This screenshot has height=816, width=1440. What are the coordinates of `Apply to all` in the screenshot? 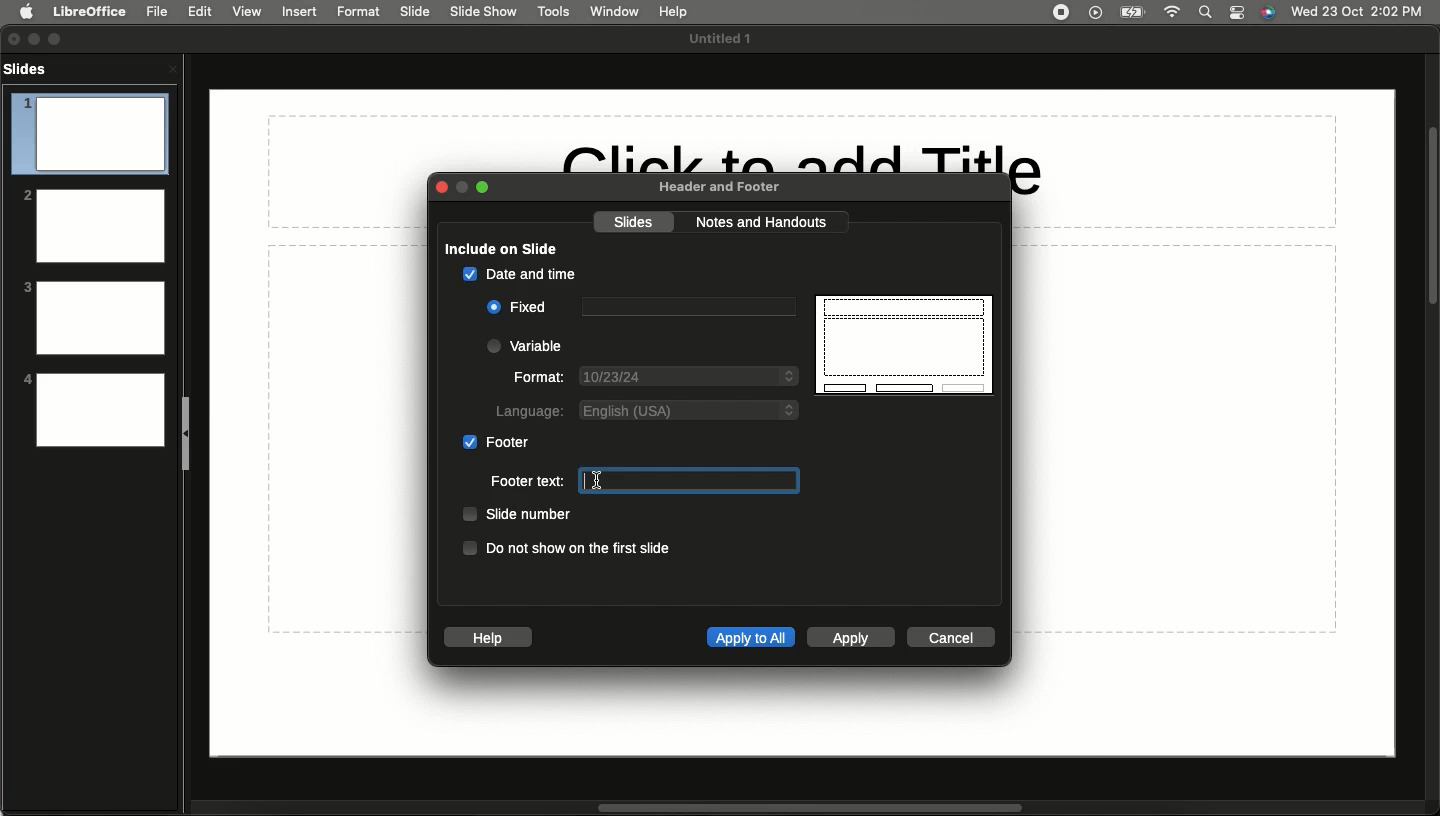 It's located at (750, 636).